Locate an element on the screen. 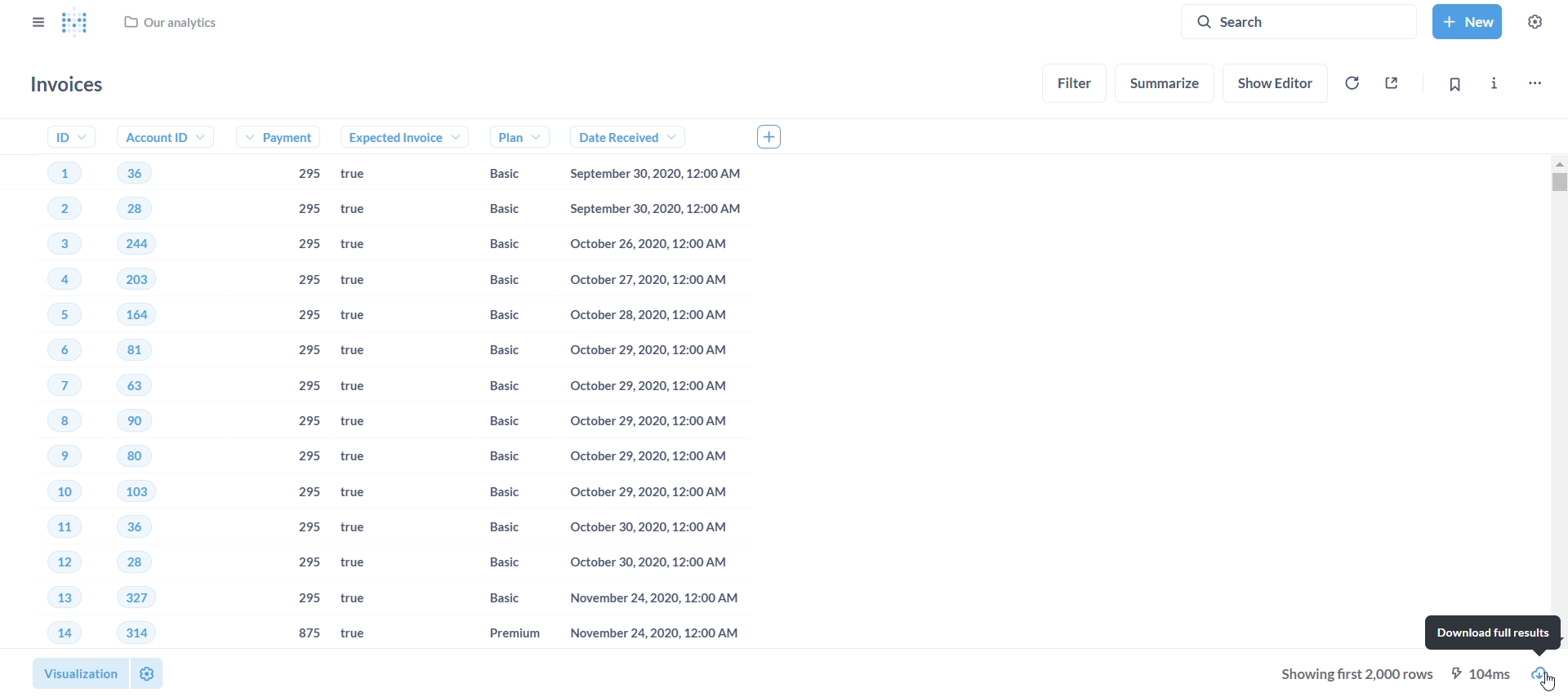 The width and height of the screenshot is (1568, 697). 327 is located at coordinates (136, 597).